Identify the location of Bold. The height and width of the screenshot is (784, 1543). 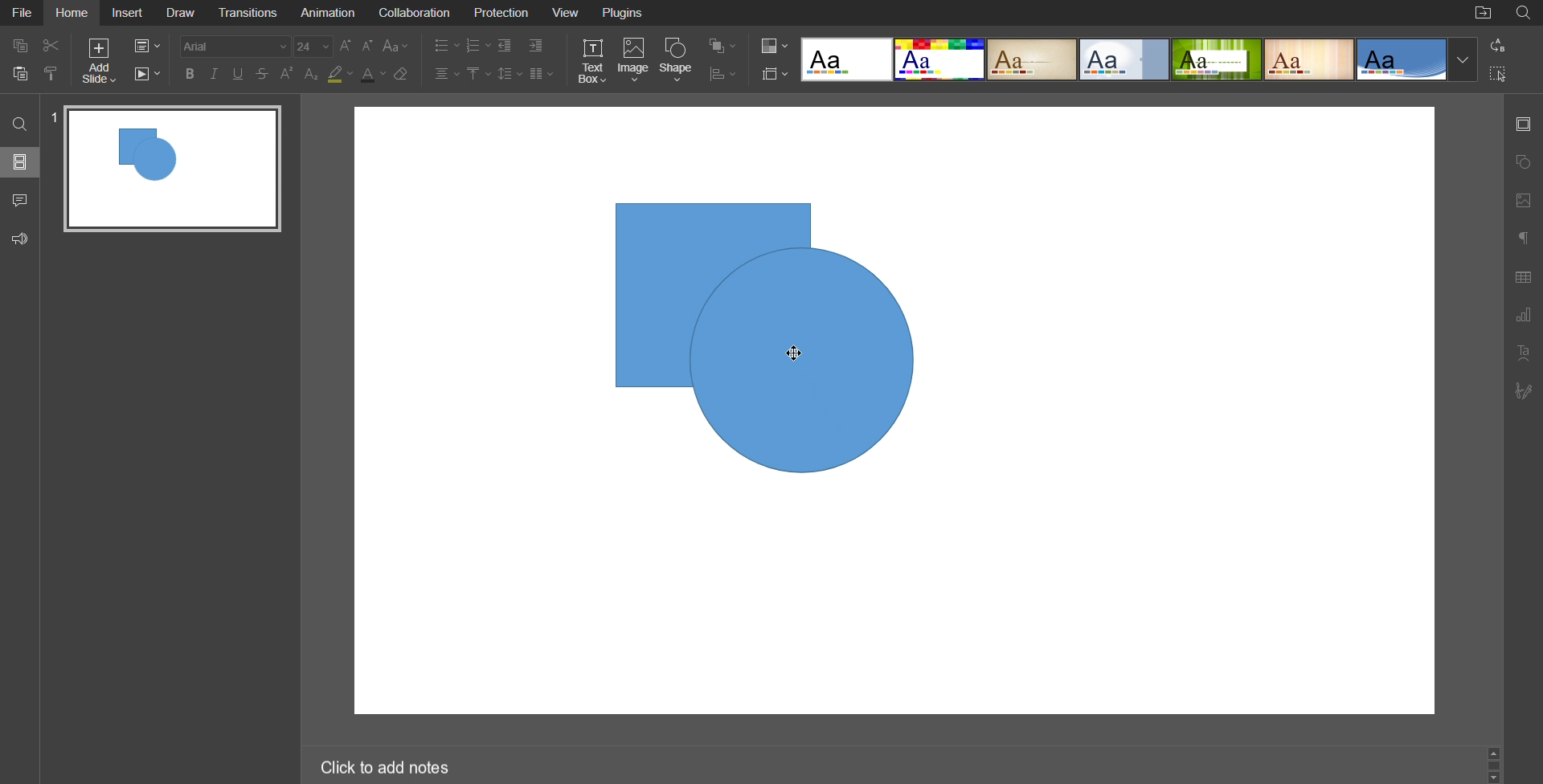
(190, 75).